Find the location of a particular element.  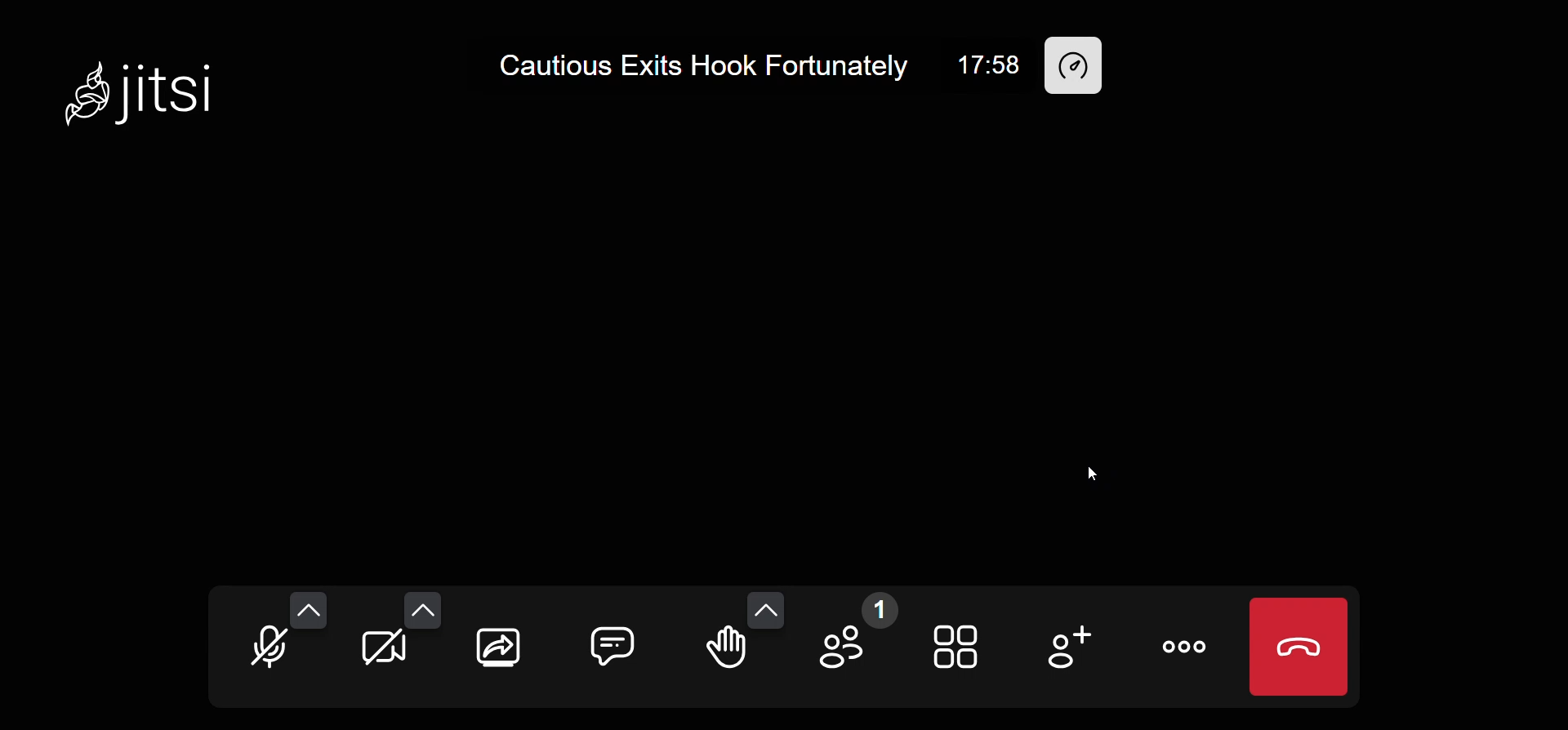

17:58 is located at coordinates (988, 63).